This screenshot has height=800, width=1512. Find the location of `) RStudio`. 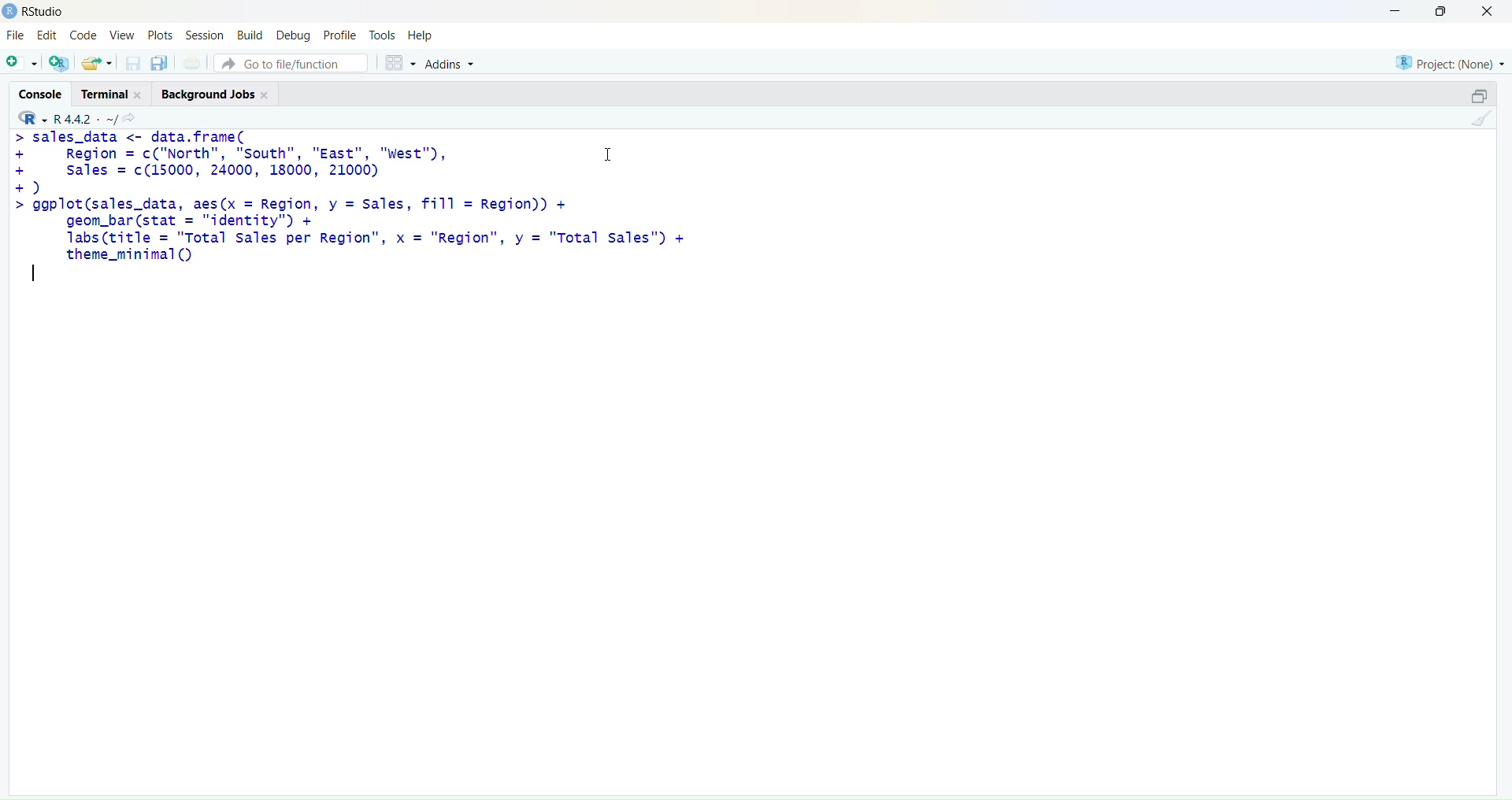

) RStudio is located at coordinates (40, 9).